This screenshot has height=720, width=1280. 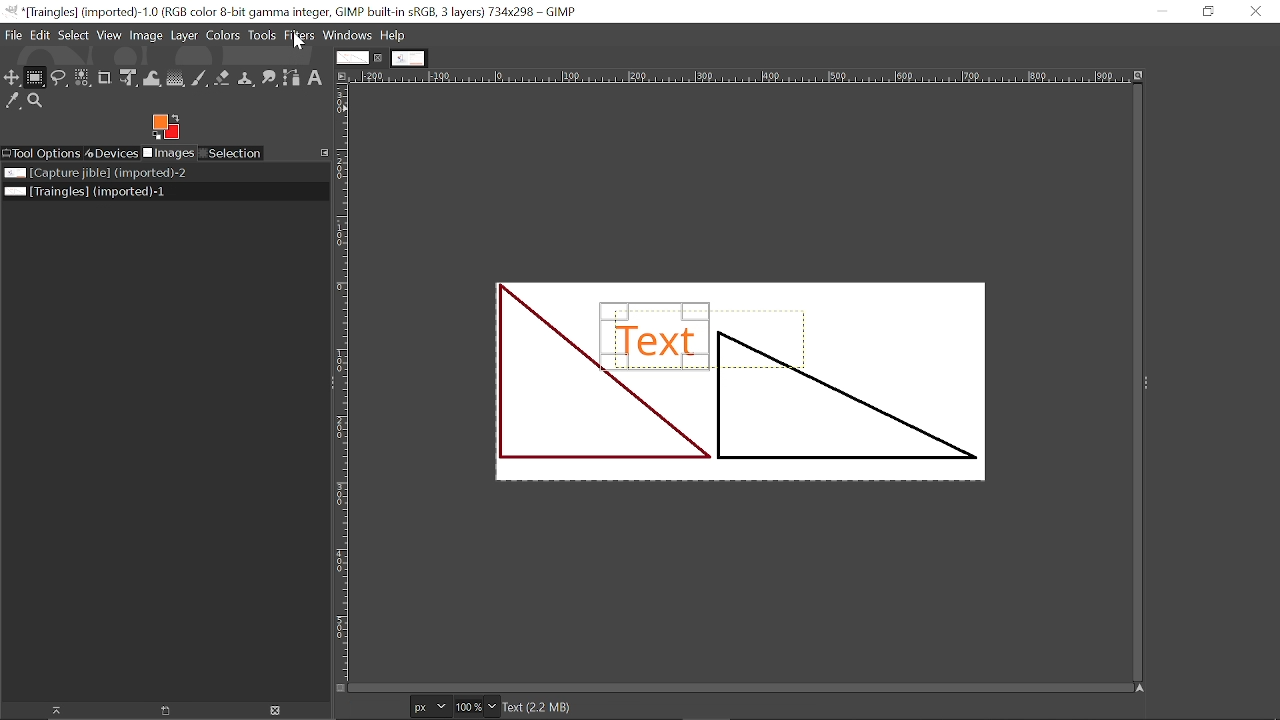 I want to click on Select by color, so click(x=83, y=79).